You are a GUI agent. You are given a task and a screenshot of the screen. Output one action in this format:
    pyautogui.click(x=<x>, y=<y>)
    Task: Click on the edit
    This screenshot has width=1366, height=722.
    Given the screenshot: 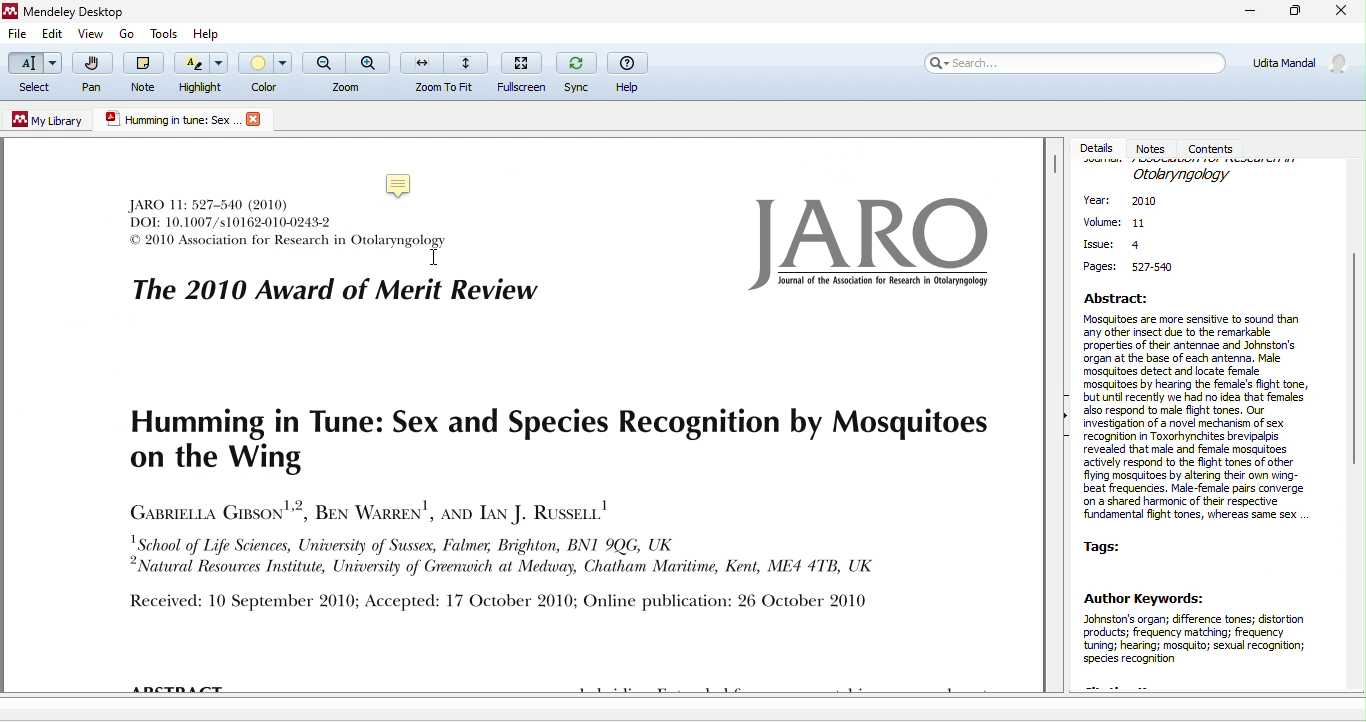 What is the action you would take?
    pyautogui.click(x=53, y=36)
    